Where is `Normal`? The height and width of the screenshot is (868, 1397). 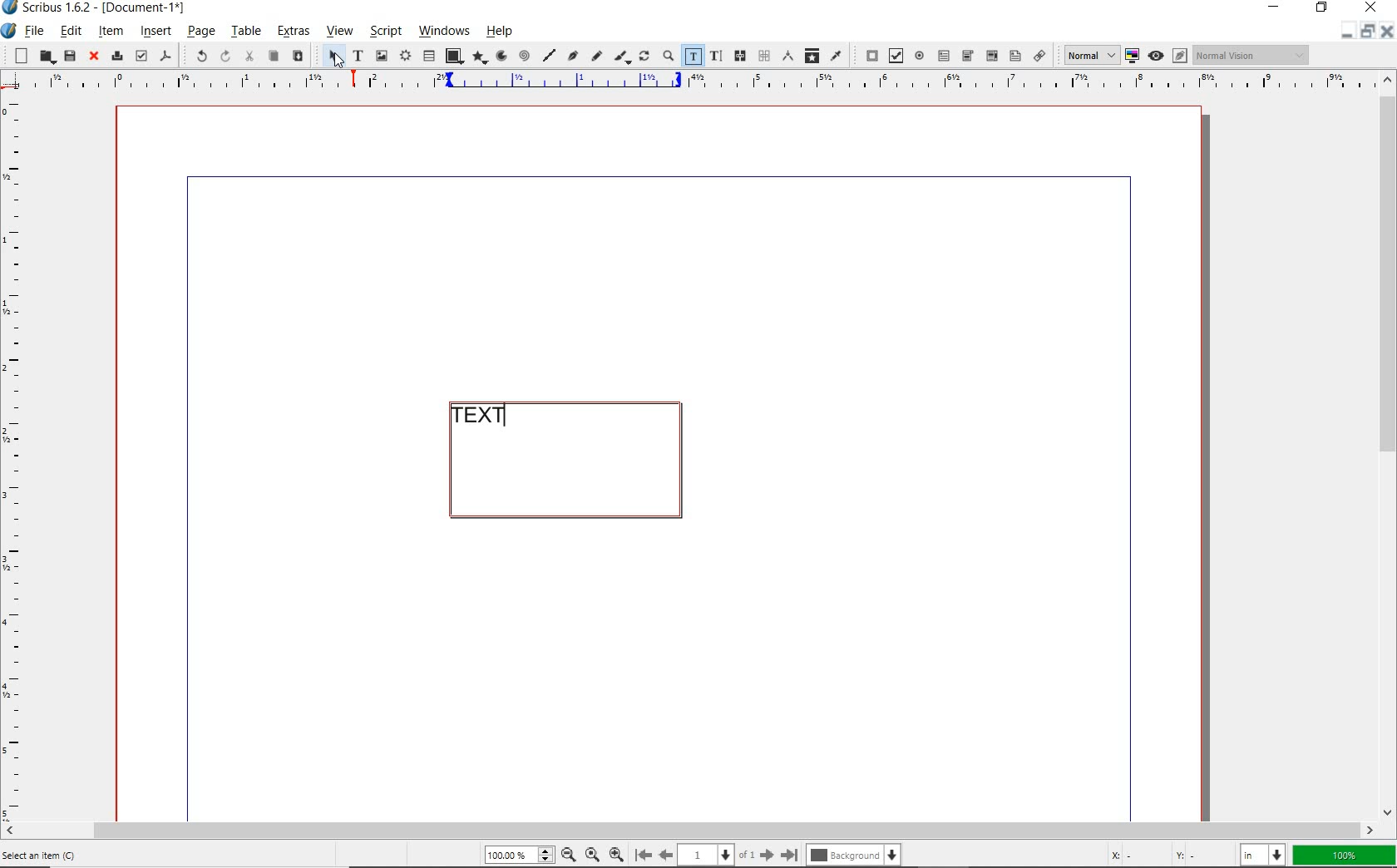 Normal is located at coordinates (1090, 55).